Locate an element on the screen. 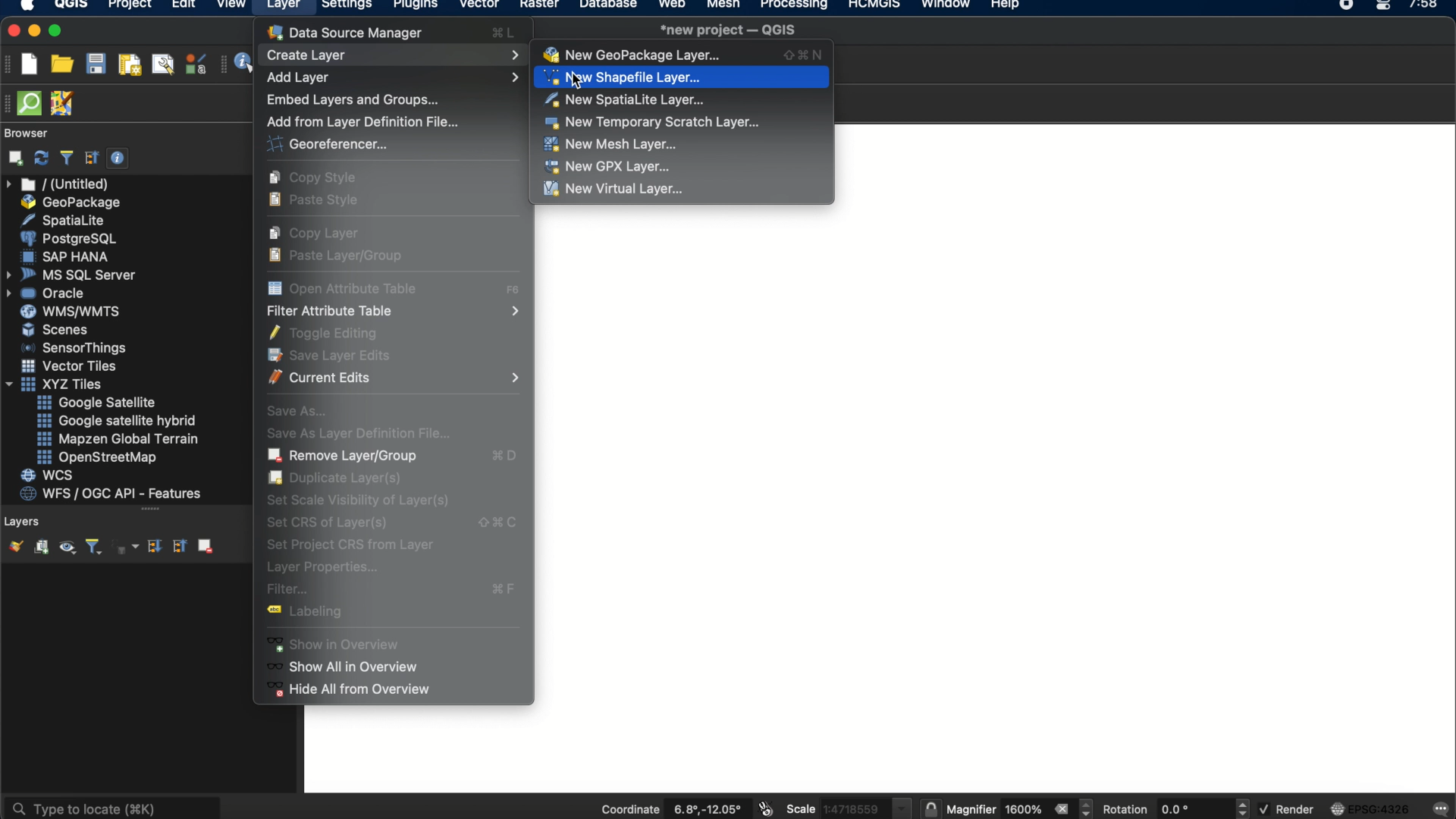 This screenshot has width=1456, height=819. sap hana is located at coordinates (67, 256).